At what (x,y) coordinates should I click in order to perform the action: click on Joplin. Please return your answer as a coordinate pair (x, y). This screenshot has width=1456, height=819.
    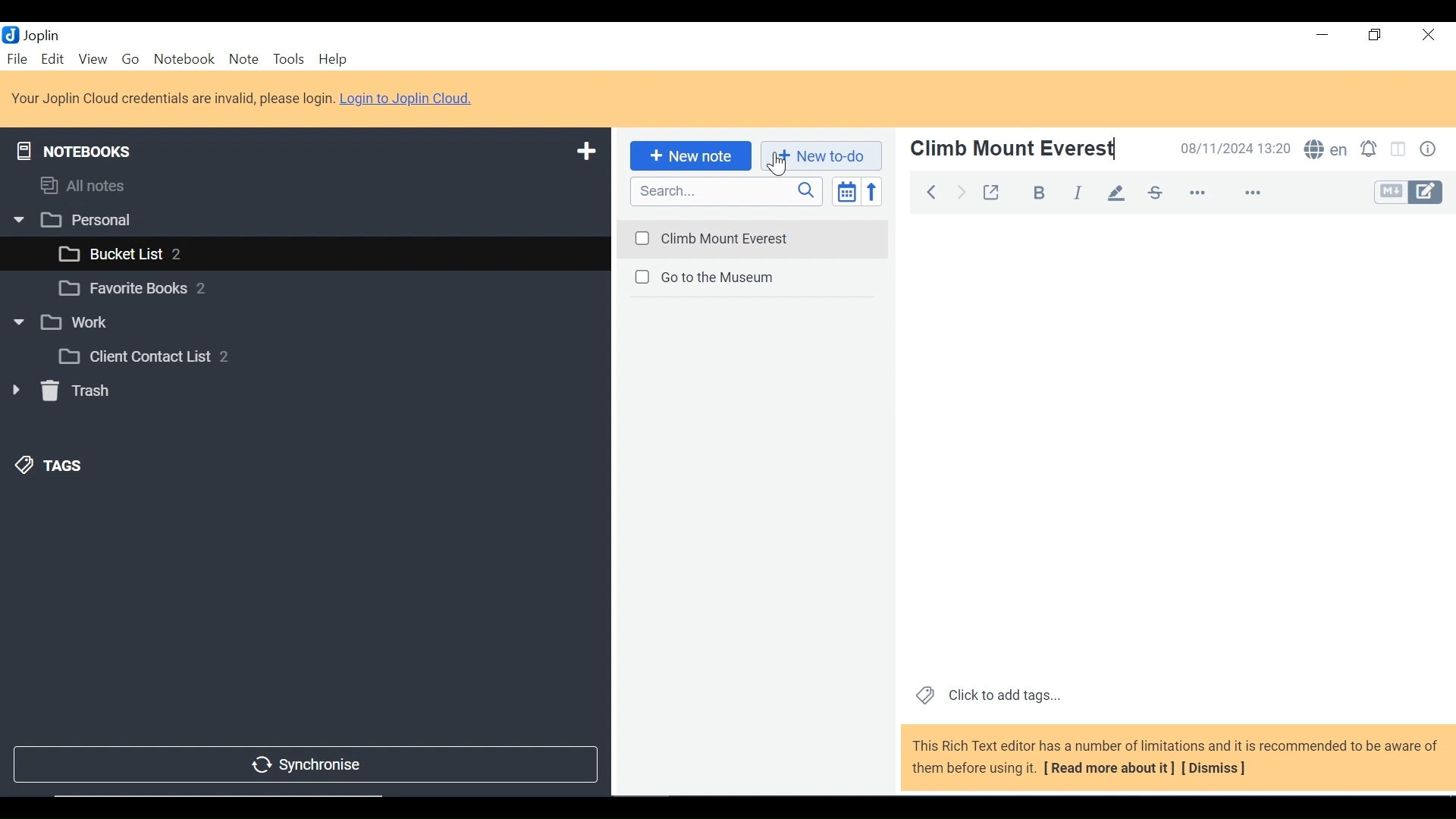
    Looking at the image, I should click on (43, 35).